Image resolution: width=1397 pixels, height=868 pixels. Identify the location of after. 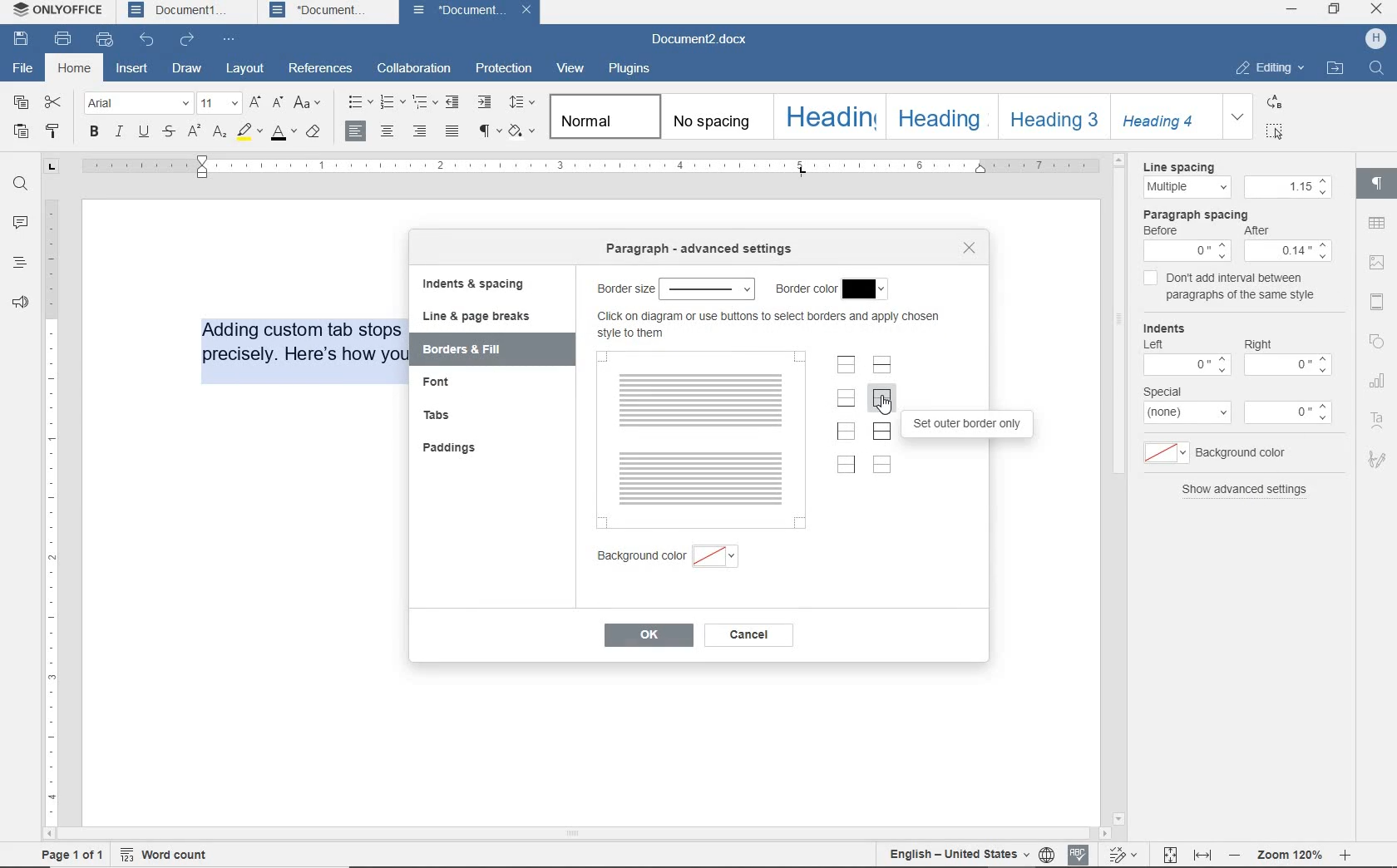
(1266, 229).